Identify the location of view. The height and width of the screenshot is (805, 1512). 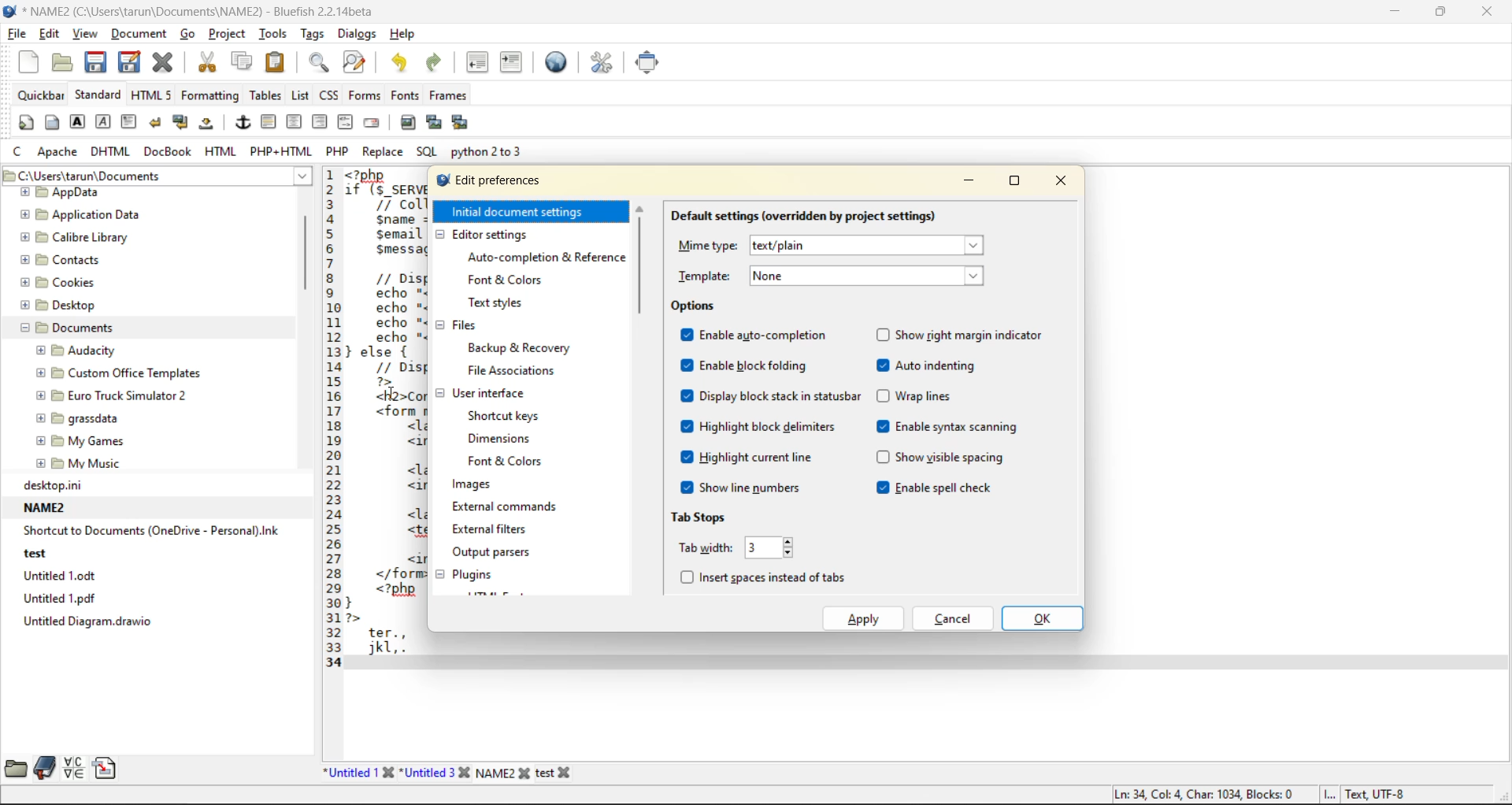
(83, 34).